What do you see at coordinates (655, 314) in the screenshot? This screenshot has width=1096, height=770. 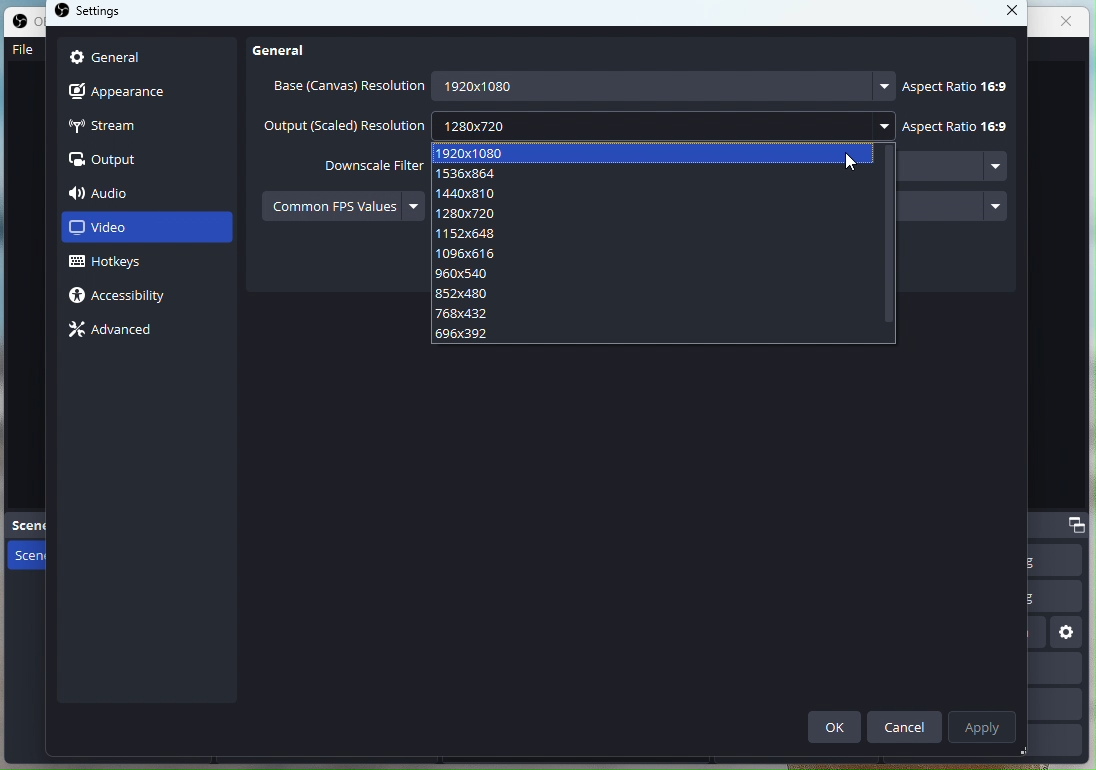 I see `768x432` at bounding box center [655, 314].